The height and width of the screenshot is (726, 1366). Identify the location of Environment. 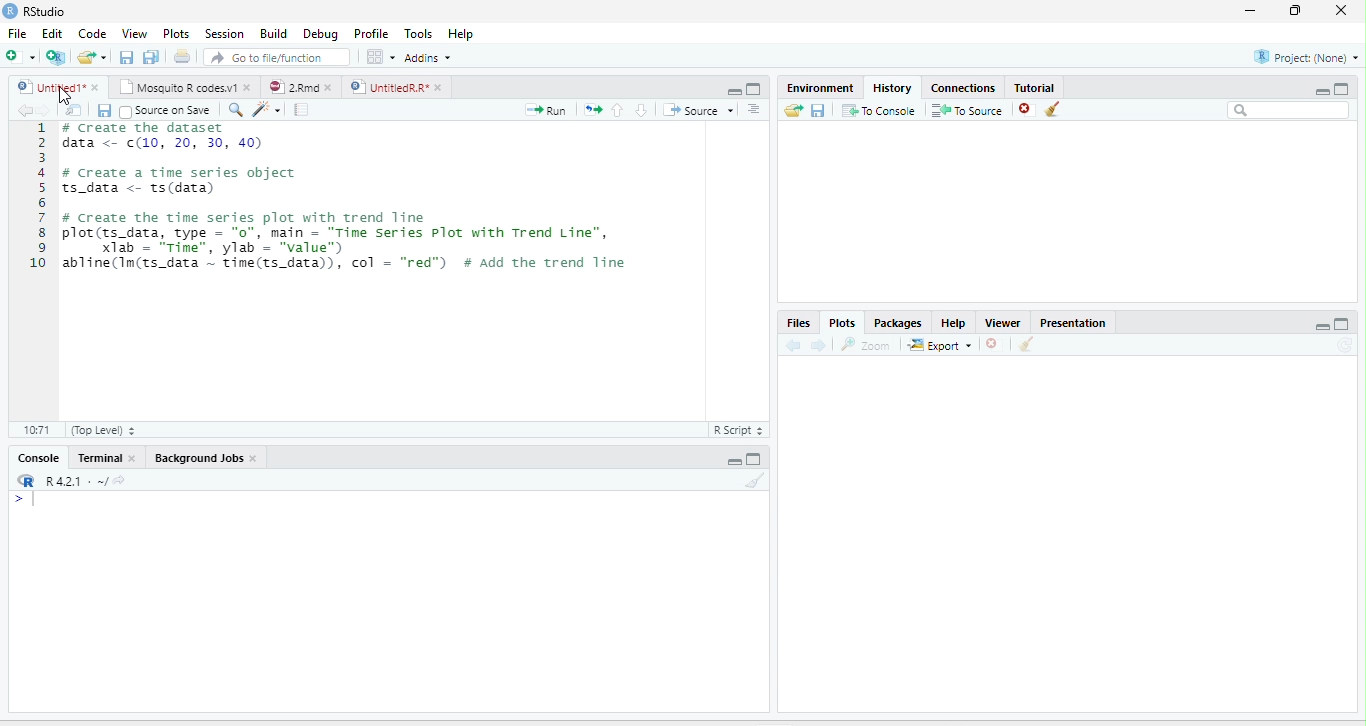
(822, 87).